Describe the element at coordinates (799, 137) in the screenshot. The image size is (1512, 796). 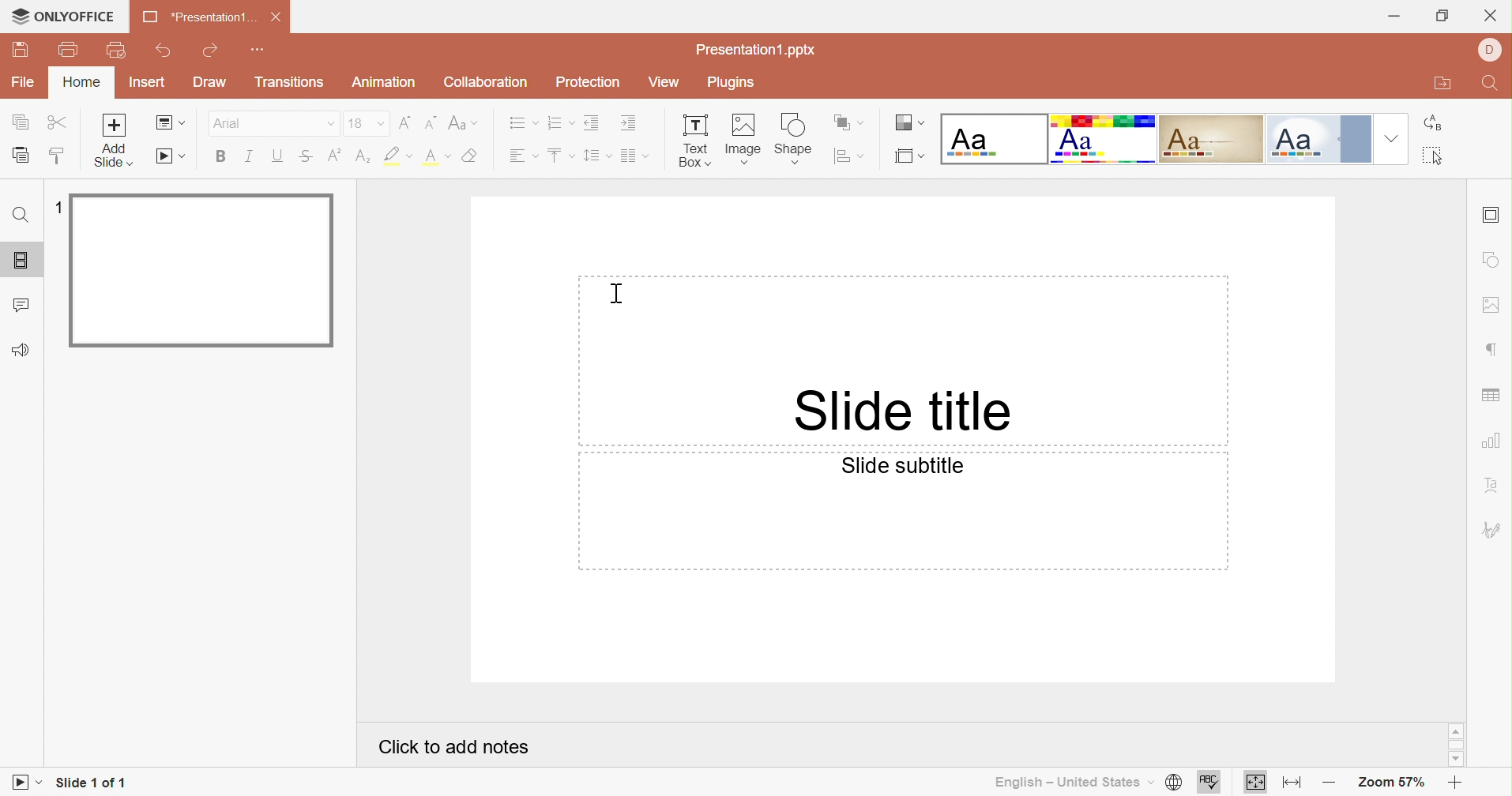
I see `shape` at that location.